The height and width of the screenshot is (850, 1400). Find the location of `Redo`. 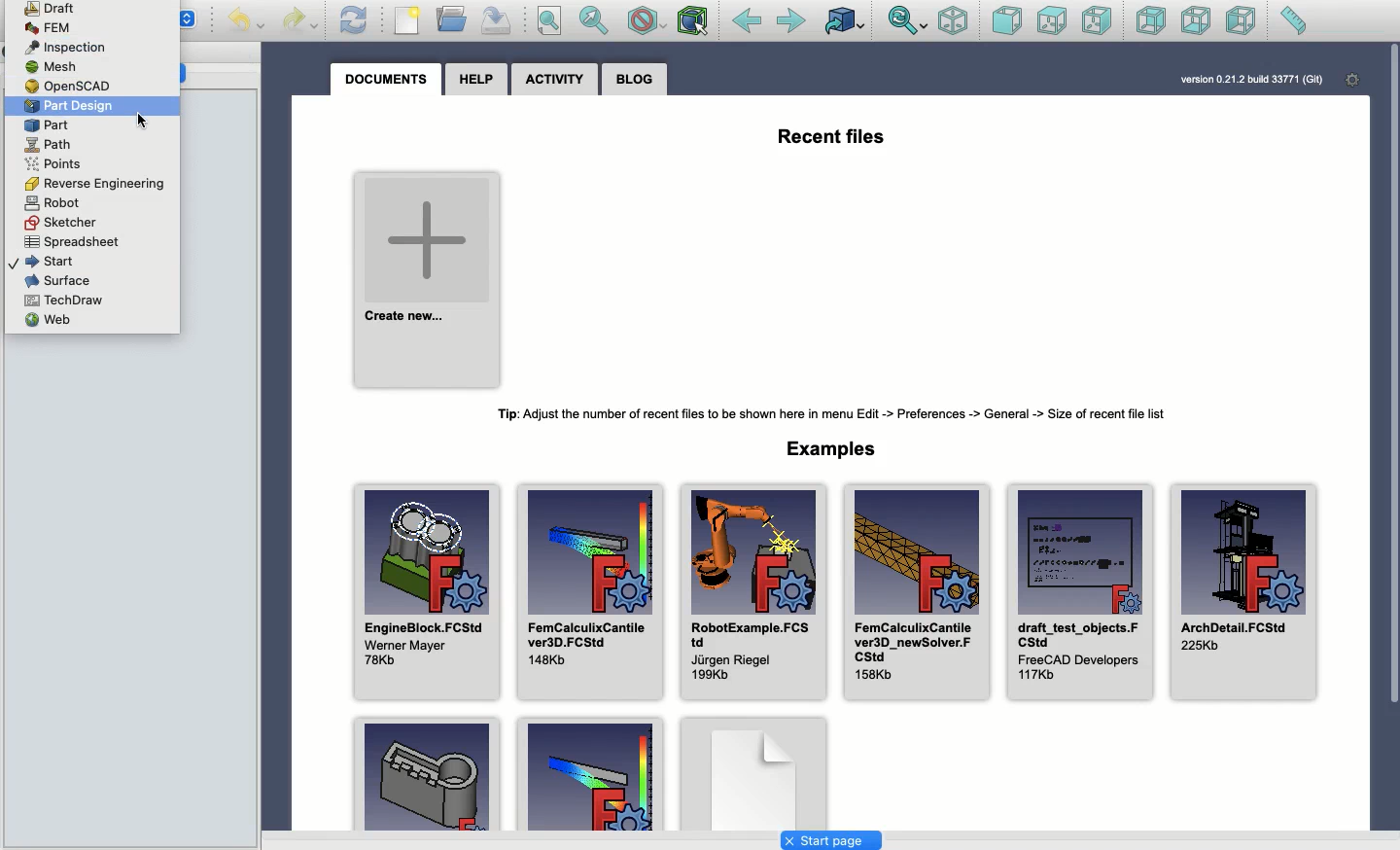

Redo is located at coordinates (303, 20).